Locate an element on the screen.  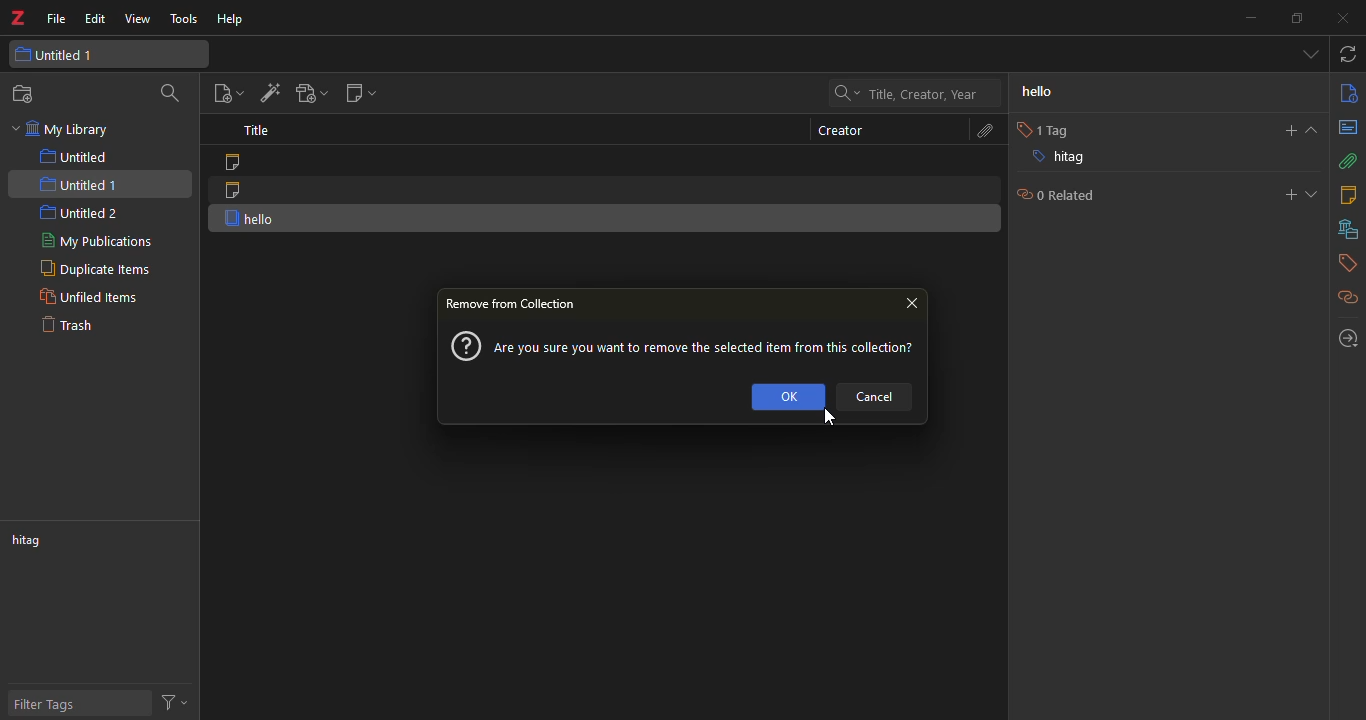
locate is located at coordinates (1343, 339).